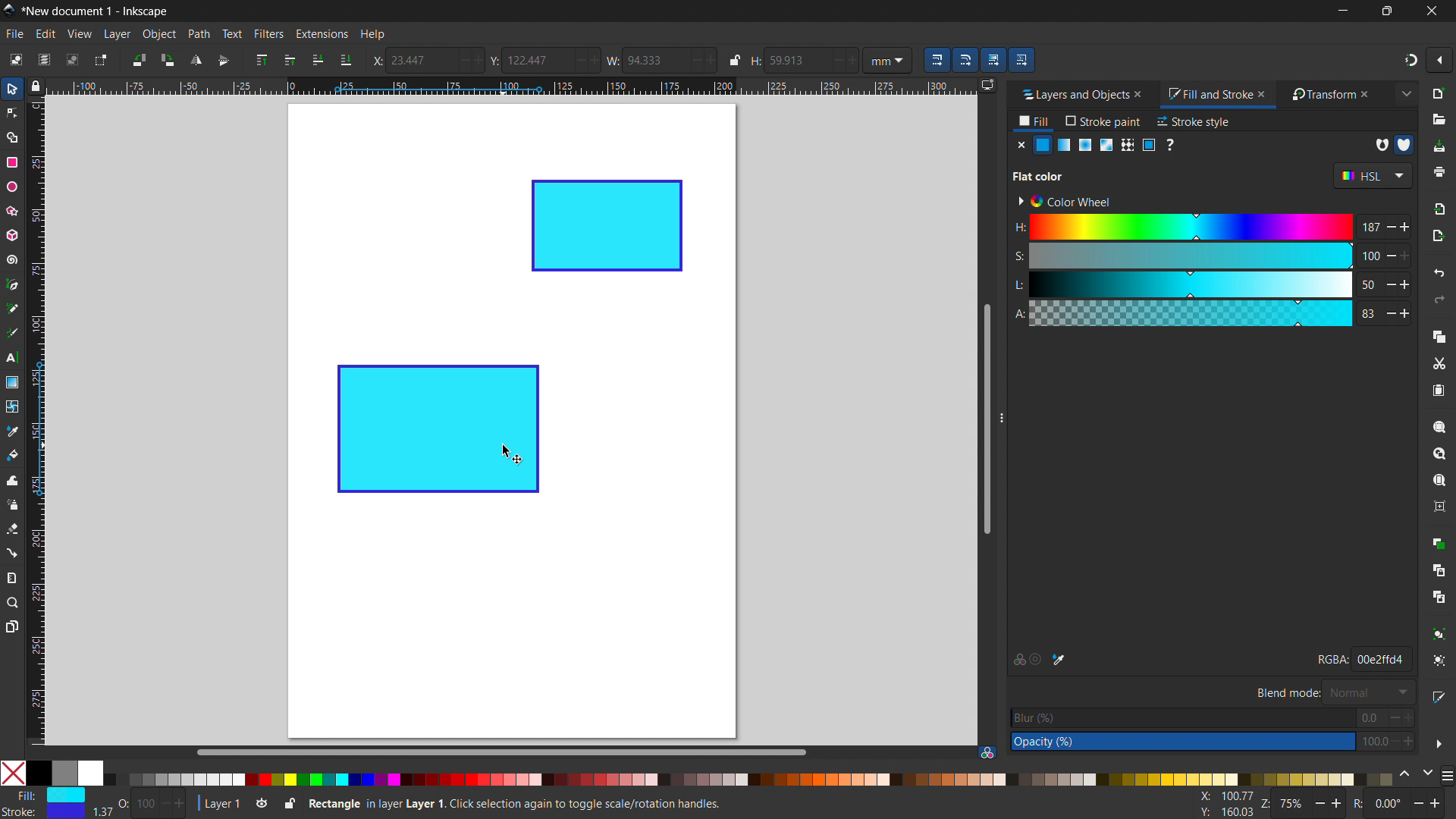 Image resolution: width=1456 pixels, height=819 pixels. Describe the element at coordinates (43, 59) in the screenshot. I see `select all in all layers` at that location.